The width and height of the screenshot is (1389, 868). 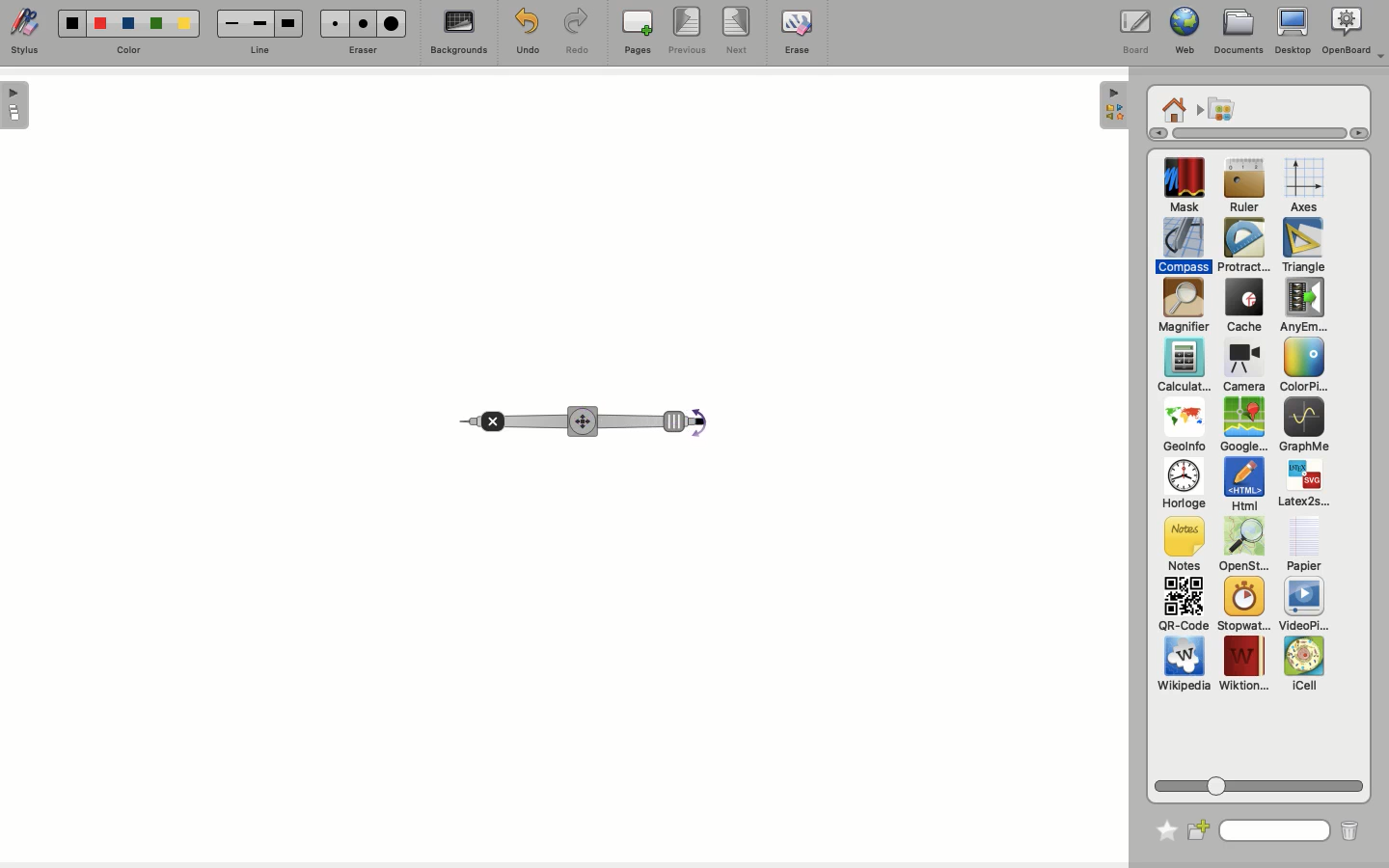 I want to click on eraser1, so click(x=334, y=23).